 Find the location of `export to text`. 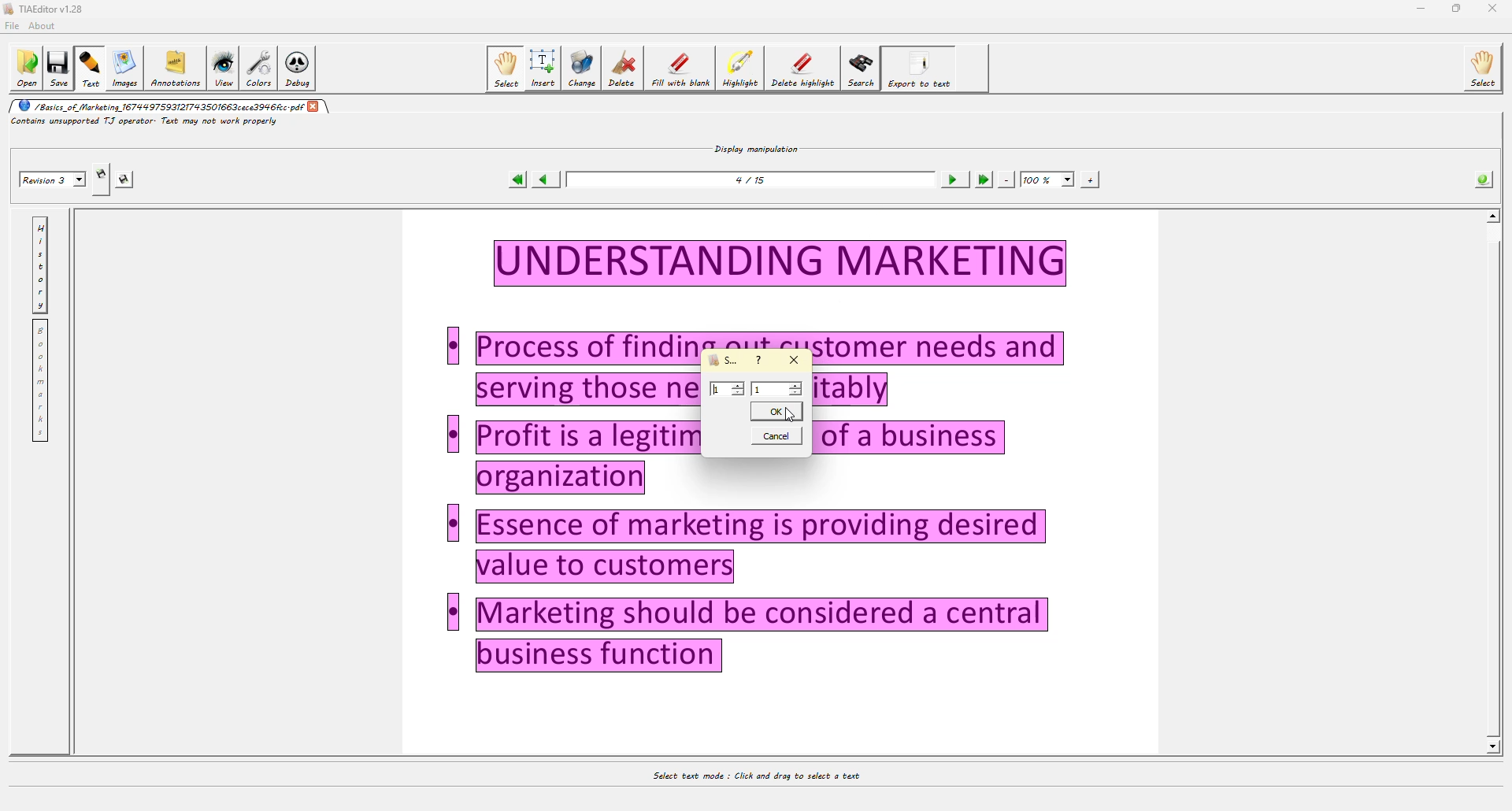

export to text is located at coordinates (921, 67).